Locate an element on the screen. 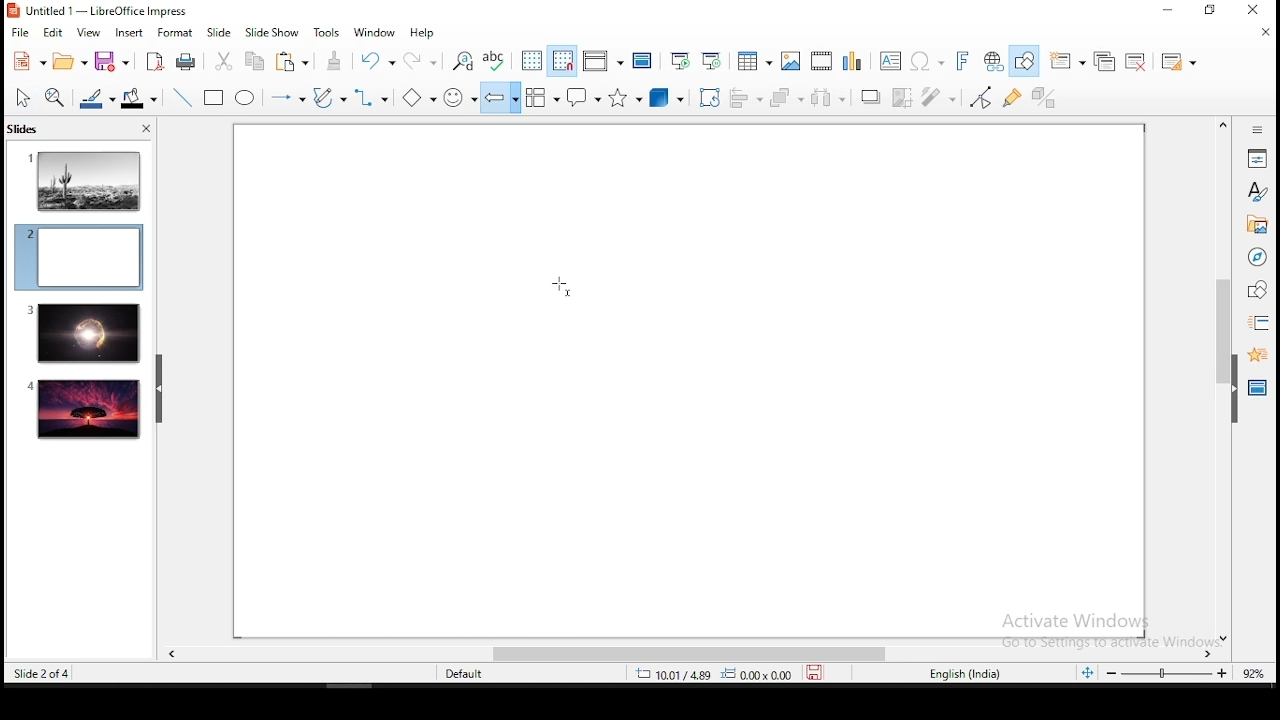 The width and height of the screenshot is (1280, 720). slide show is located at coordinates (274, 33).